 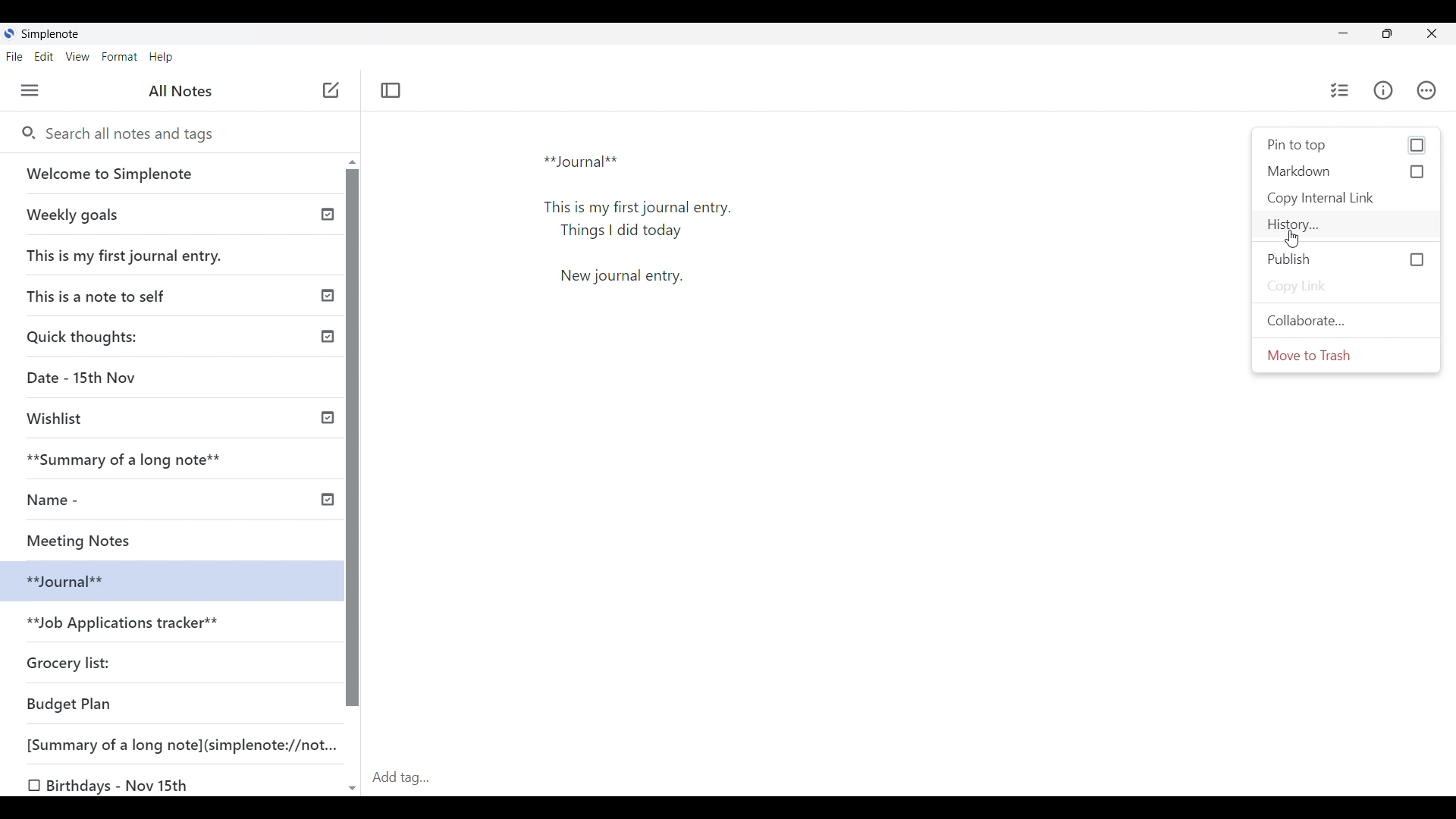 I want to click on File menu, so click(x=15, y=57).